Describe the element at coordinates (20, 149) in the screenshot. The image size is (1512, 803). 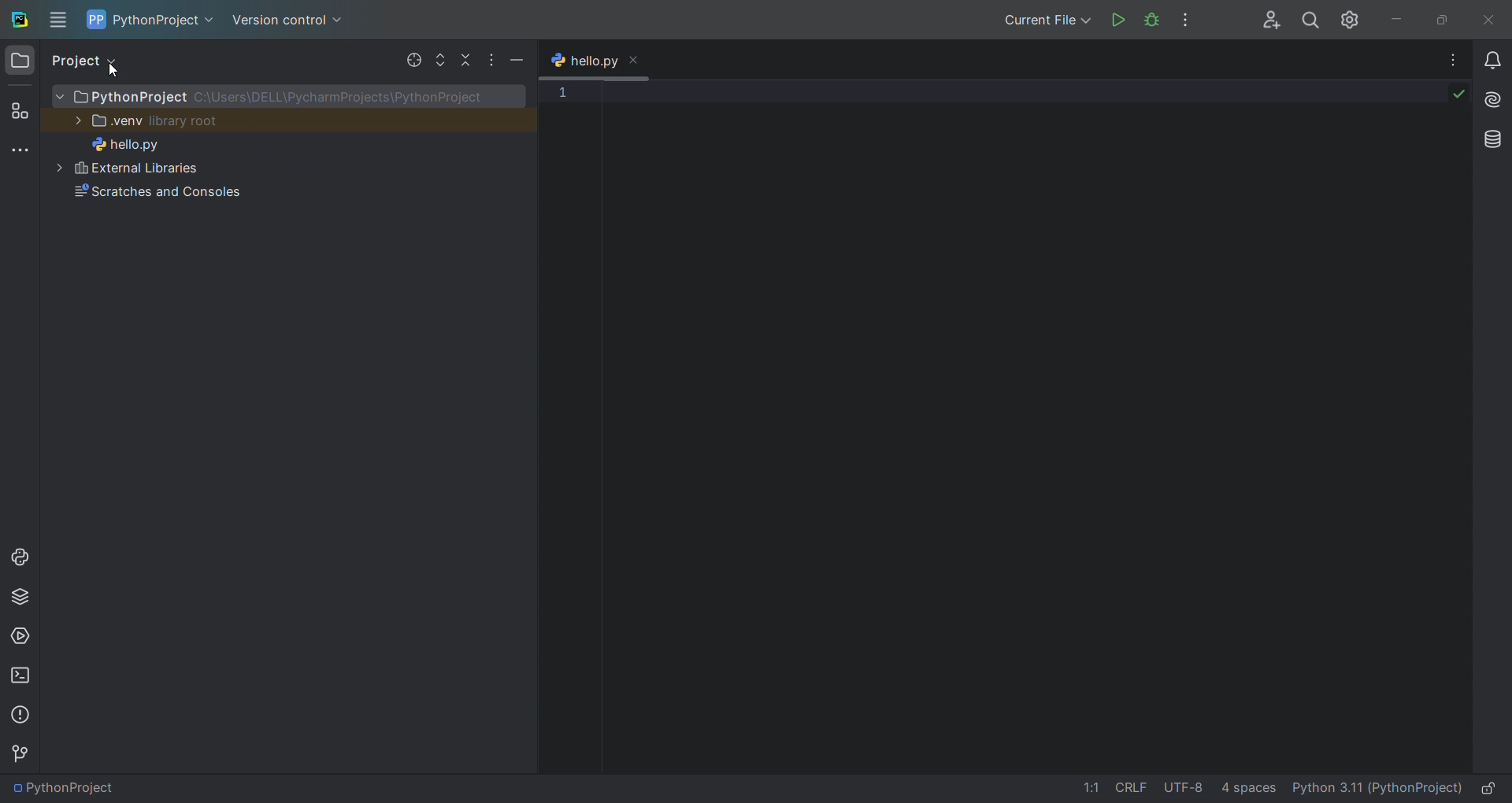
I see `more tool window` at that location.